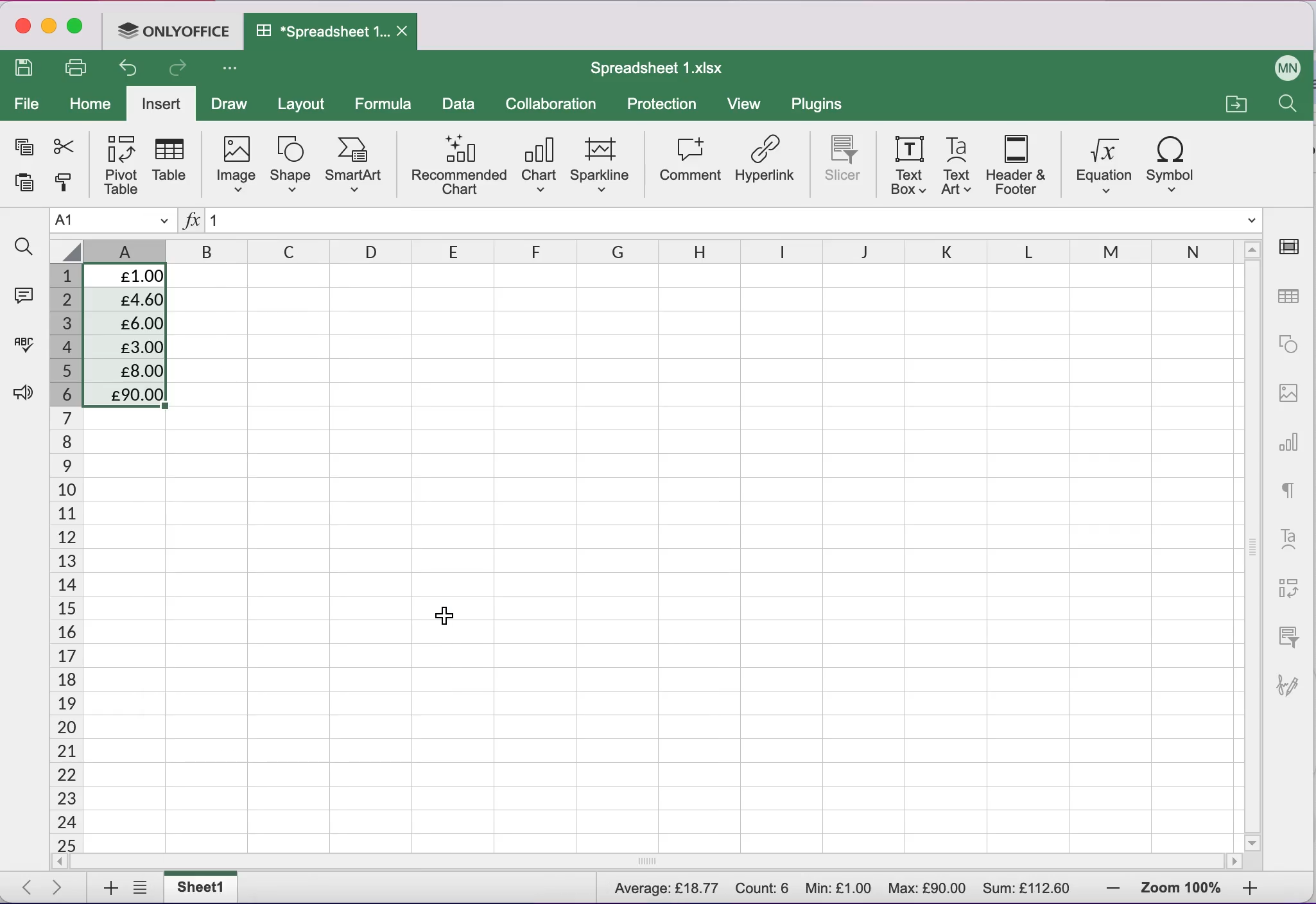 Image resolution: width=1316 pixels, height=904 pixels. Describe the element at coordinates (76, 30) in the screenshot. I see `maximize` at that location.